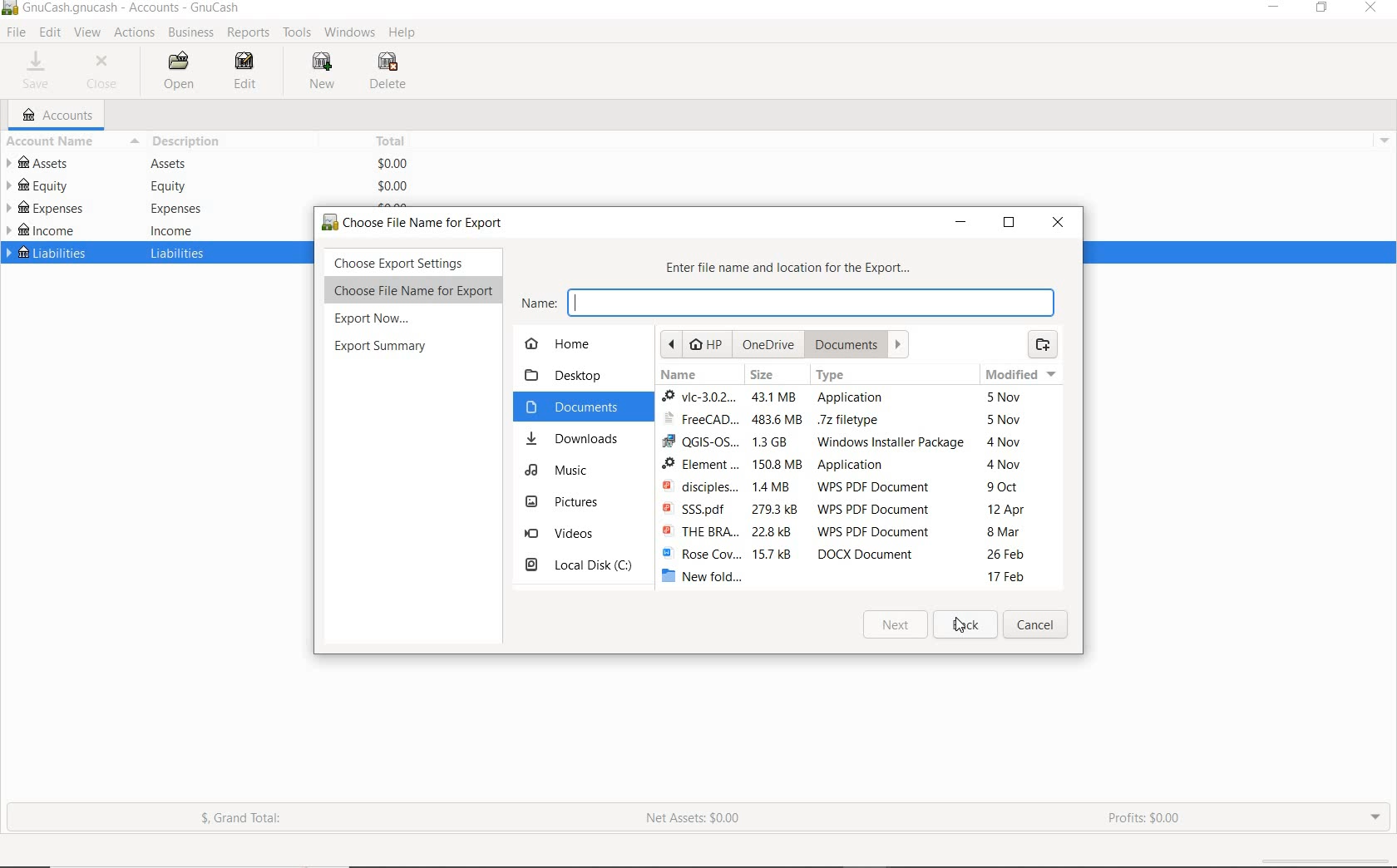 Image resolution: width=1397 pixels, height=868 pixels. What do you see at coordinates (180, 252) in the screenshot?
I see `liabilities` at bounding box center [180, 252].